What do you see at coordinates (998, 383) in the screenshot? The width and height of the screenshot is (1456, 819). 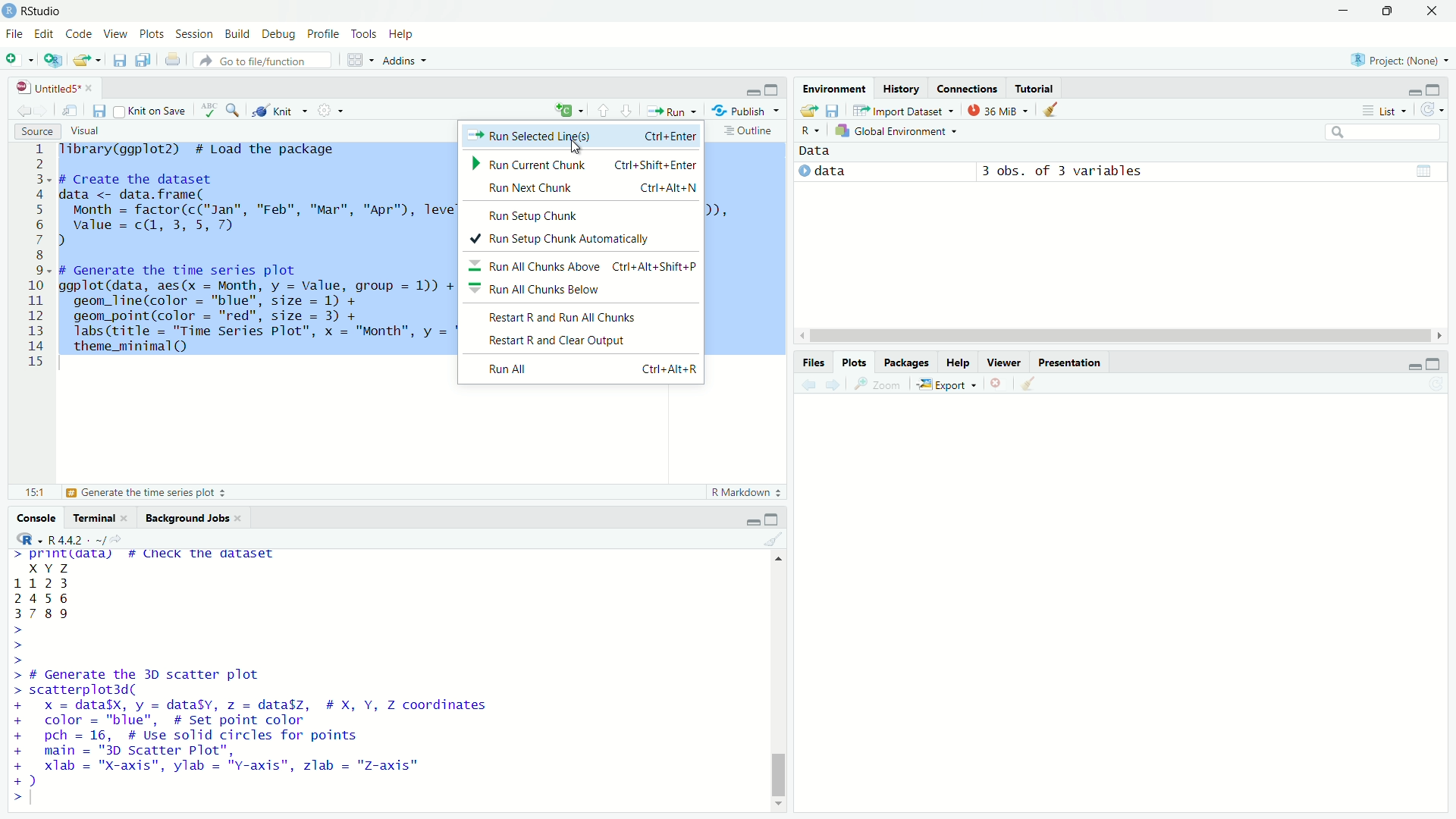 I see `remove the current plot` at bounding box center [998, 383].